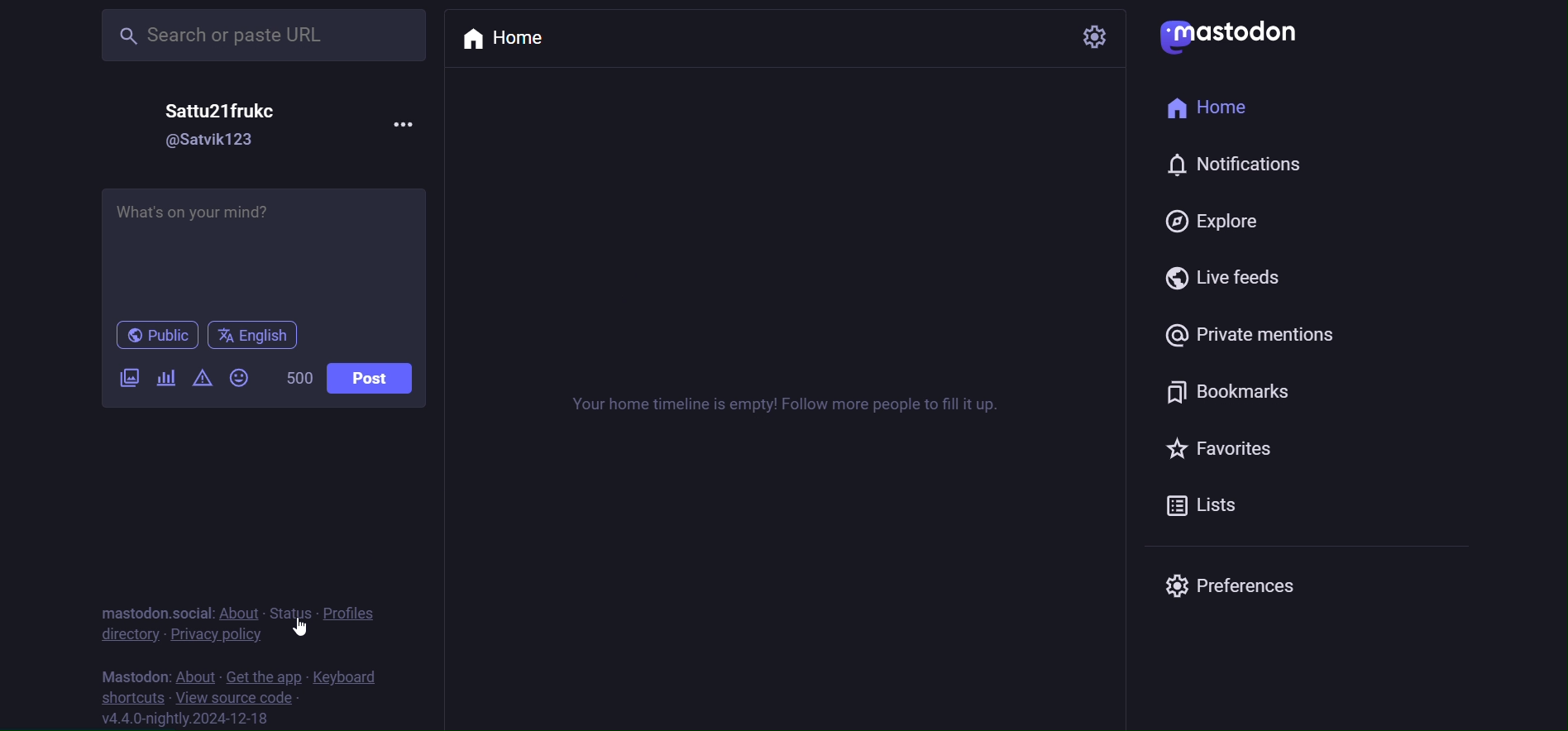  I want to click on Status, so click(294, 610).